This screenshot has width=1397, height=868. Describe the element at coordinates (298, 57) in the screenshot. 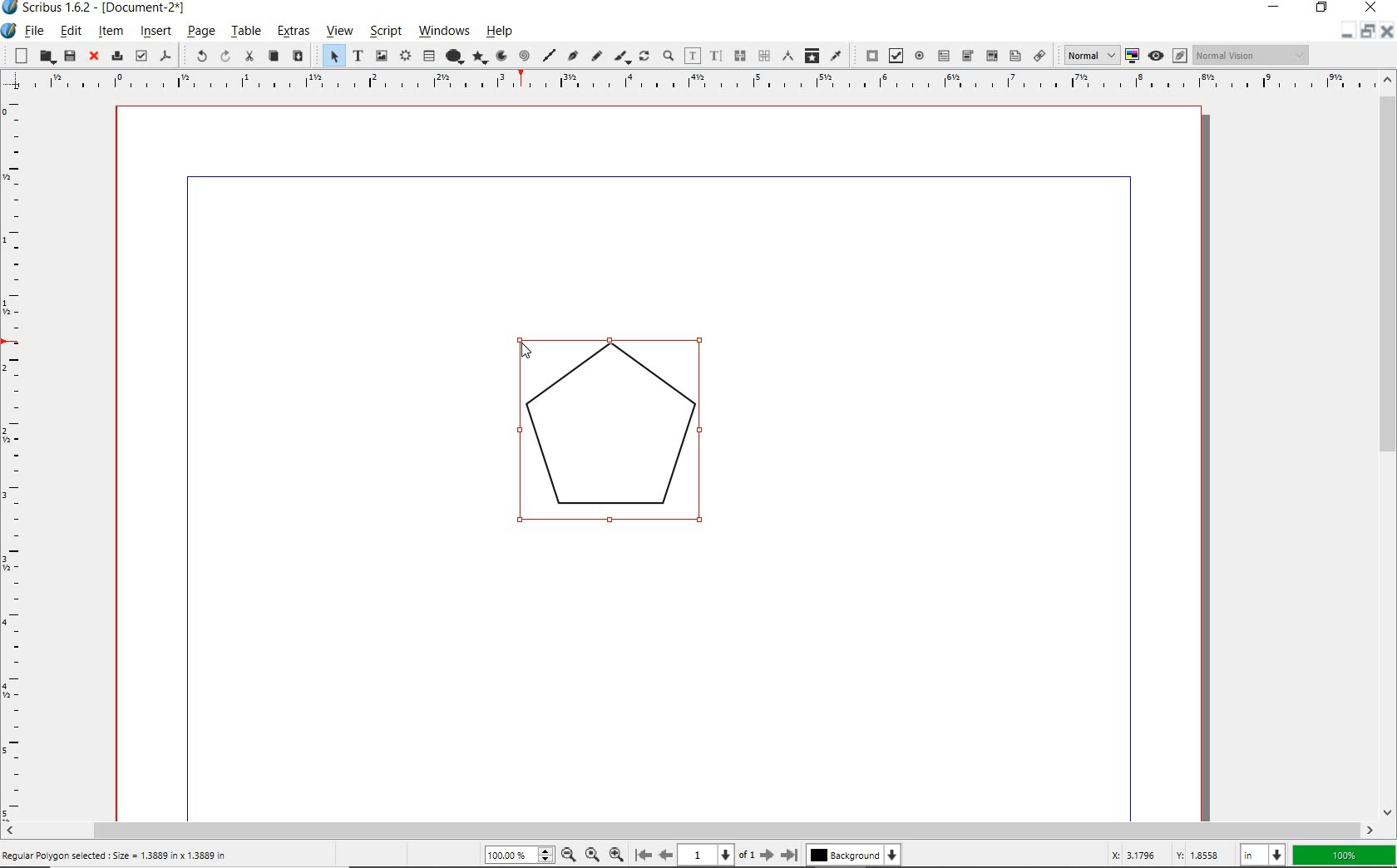

I see `paste` at that location.